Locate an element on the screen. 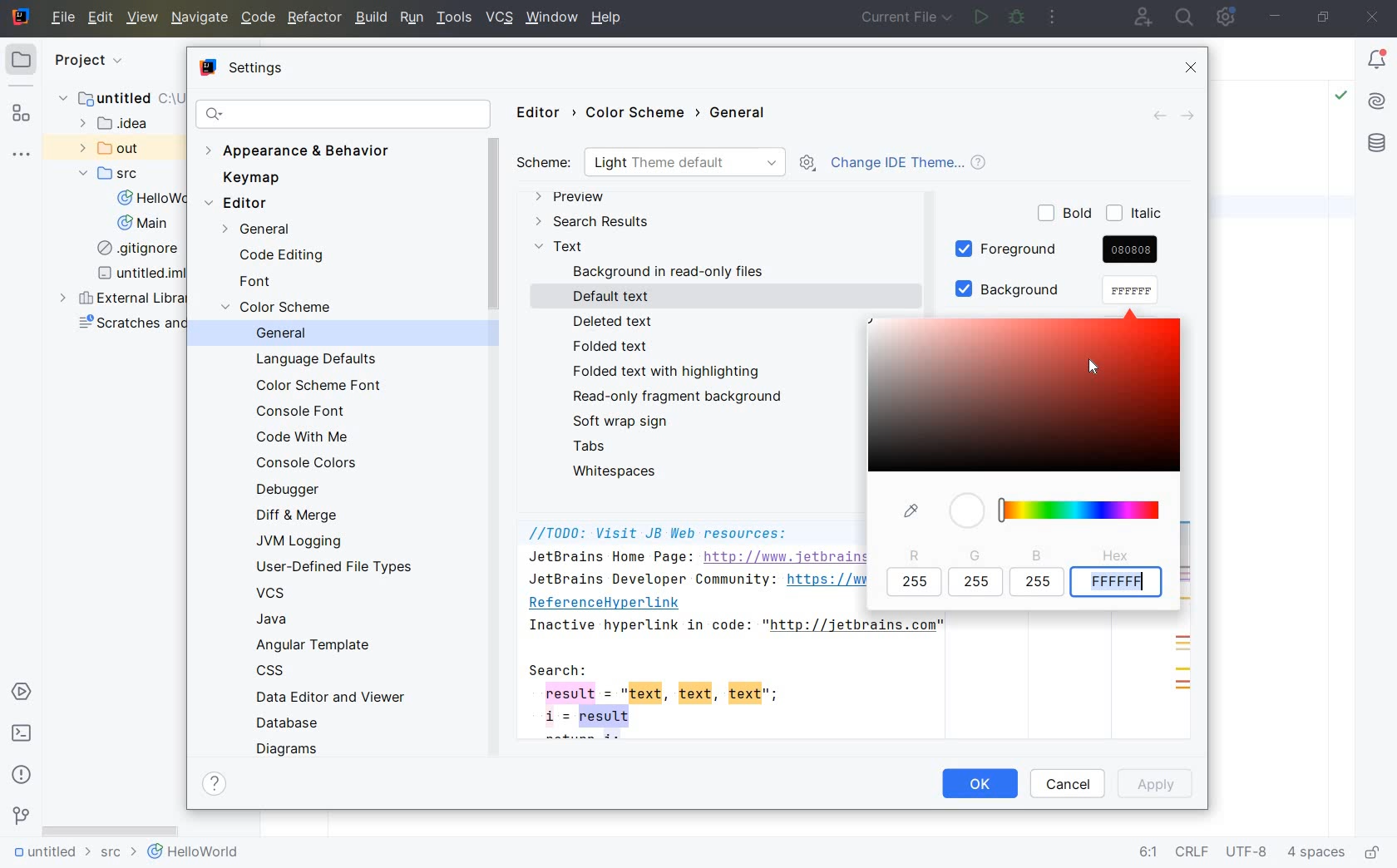 Image resolution: width=1397 pixels, height=868 pixels. CODE EDITING is located at coordinates (280, 257).